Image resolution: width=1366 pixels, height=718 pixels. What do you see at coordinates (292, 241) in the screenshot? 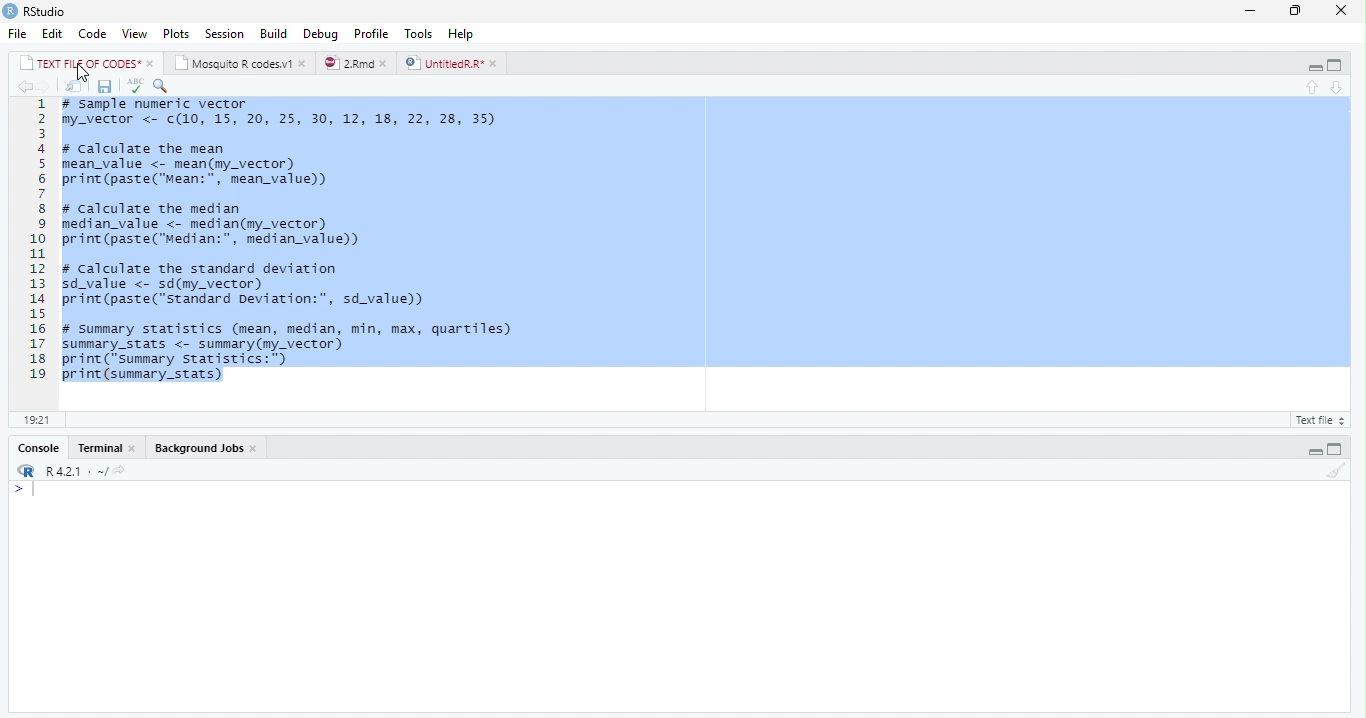
I see `# Sample numeric vector

my_vector <- c(10, 15, 20, 25, 30, 12, 18, 22, 28, 35)
# calculate the mean

nean_value <- mean(my_vector)

print (paste("Mean:", mean_value))

# Calculate the median

nedian_value <- median(ny_vector)

print (paste("Median:”, median_value)

# Calculate the standard deviation

sd_value <- sd(my_vector)

print (paste("standard peviation:", sd_value)

4 summary statistics (mean, median, min, max, quartiles)
summary_stats <- summary(my_vector)

print ("Summary statistics:")

print (summary_stats)` at bounding box center [292, 241].